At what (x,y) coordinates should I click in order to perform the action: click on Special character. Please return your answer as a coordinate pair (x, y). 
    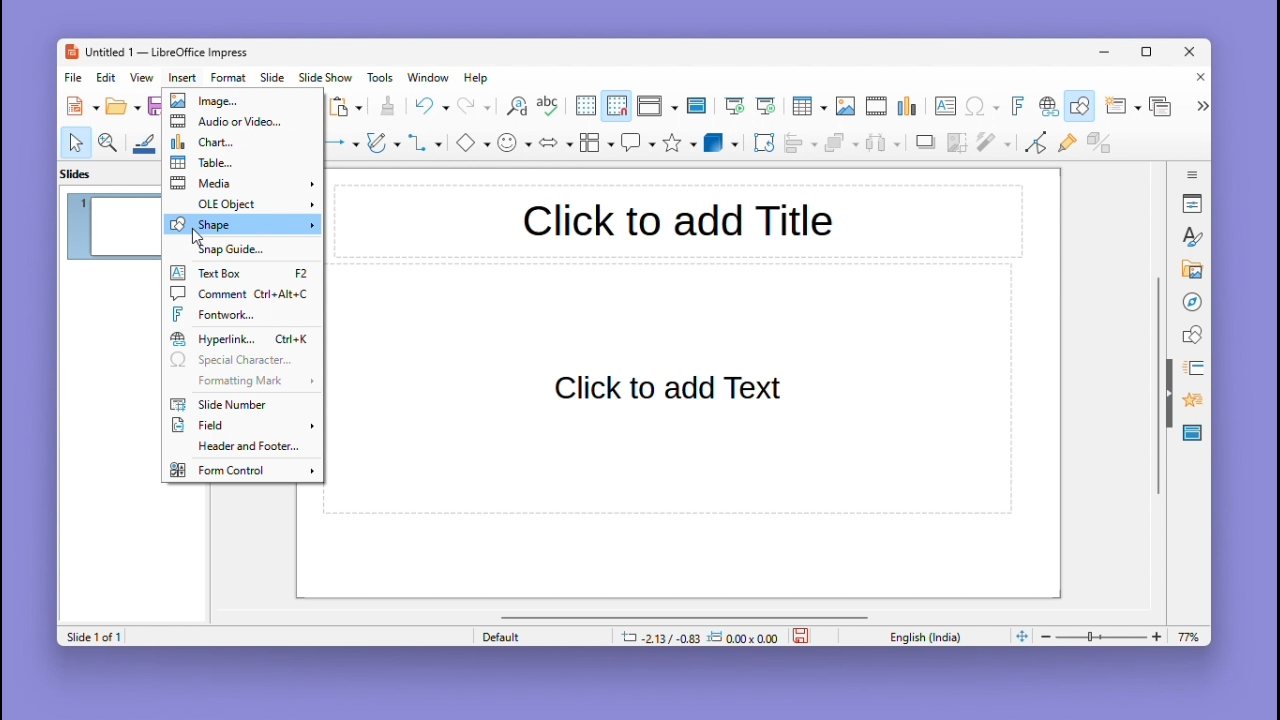
    Looking at the image, I should click on (983, 108).